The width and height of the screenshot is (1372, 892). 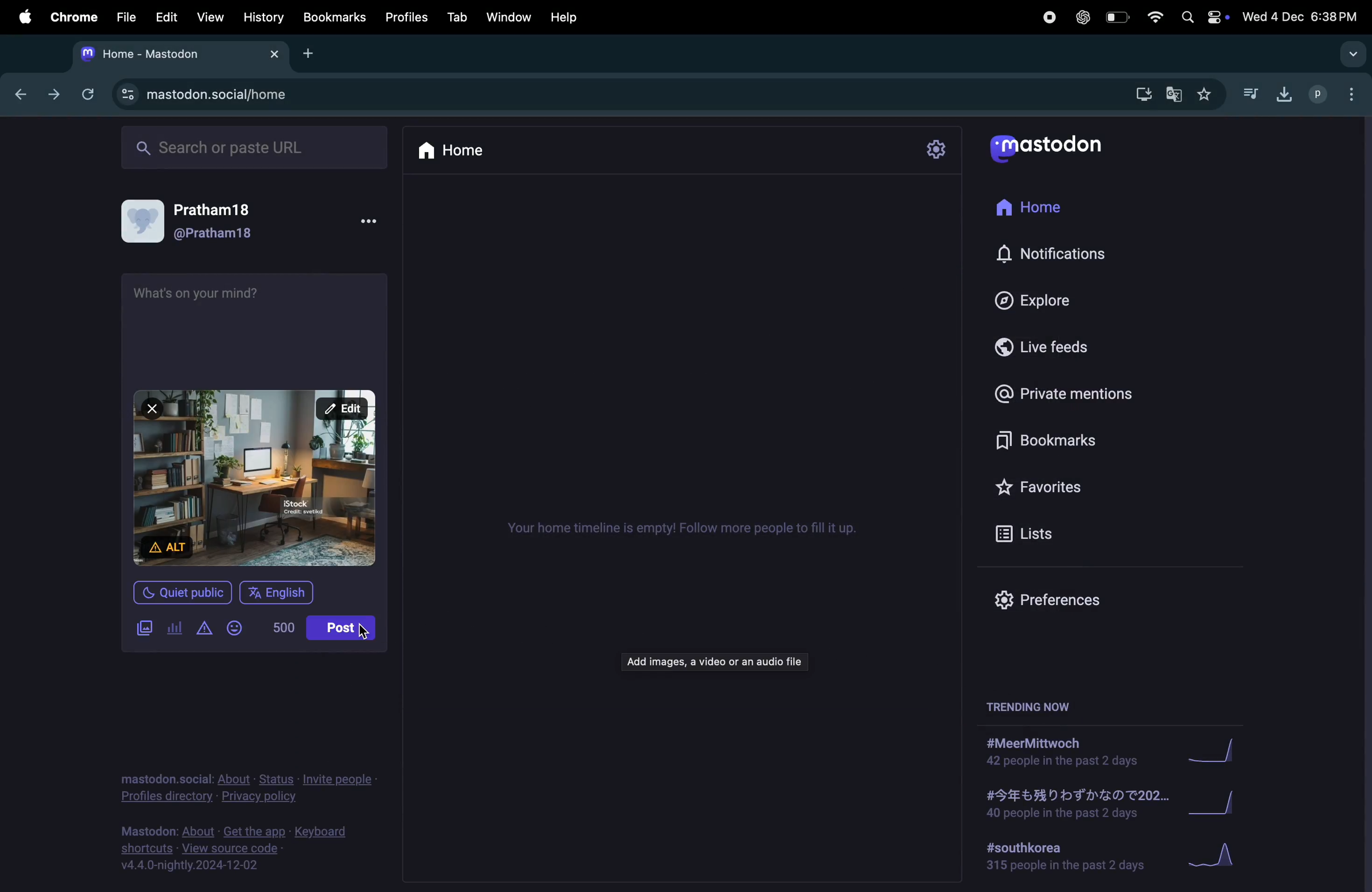 I want to click on notification, so click(x=1061, y=260).